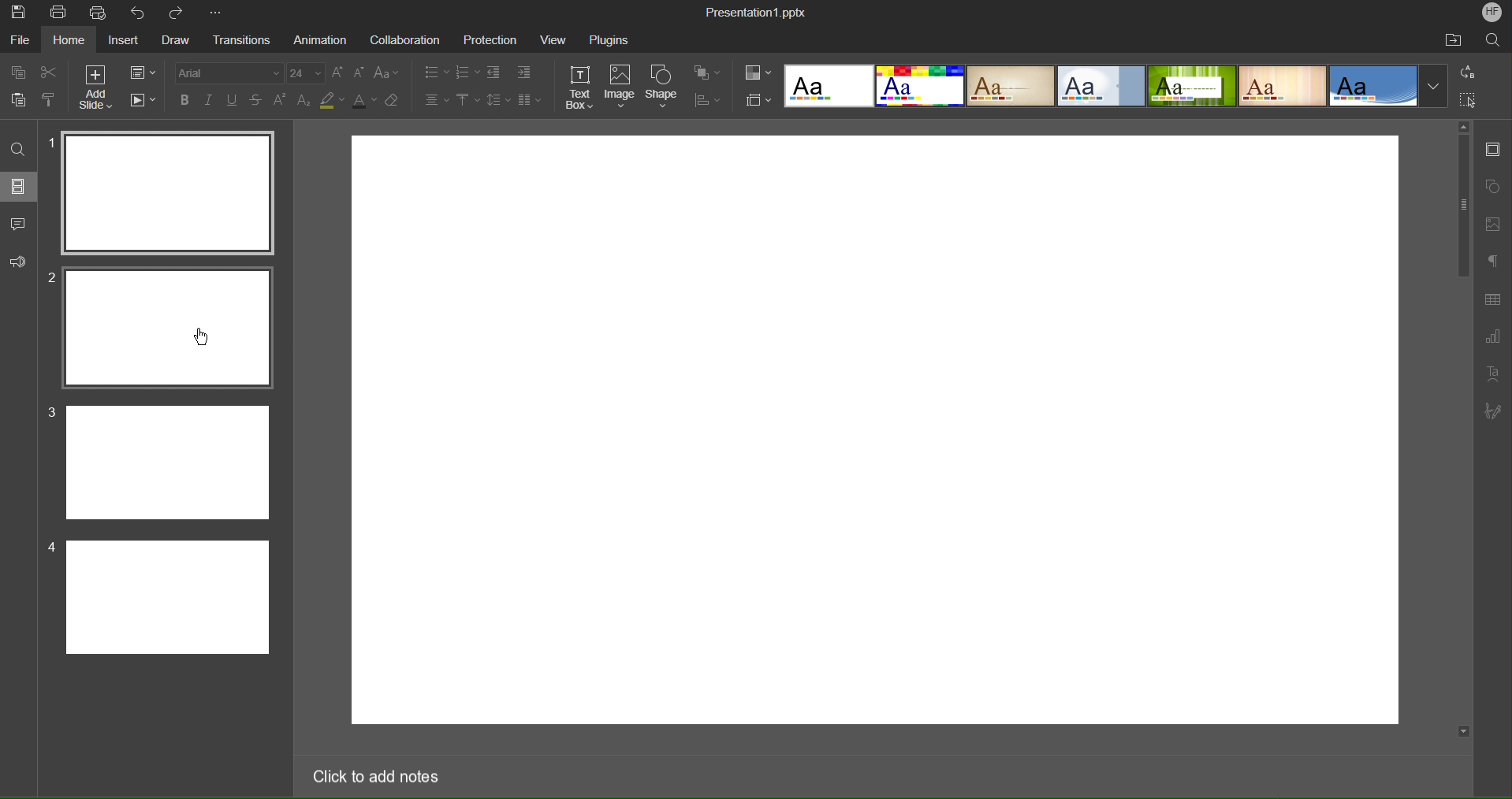 The width and height of the screenshot is (1512, 799). I want to click on Text Alignment, so click(437, 98).